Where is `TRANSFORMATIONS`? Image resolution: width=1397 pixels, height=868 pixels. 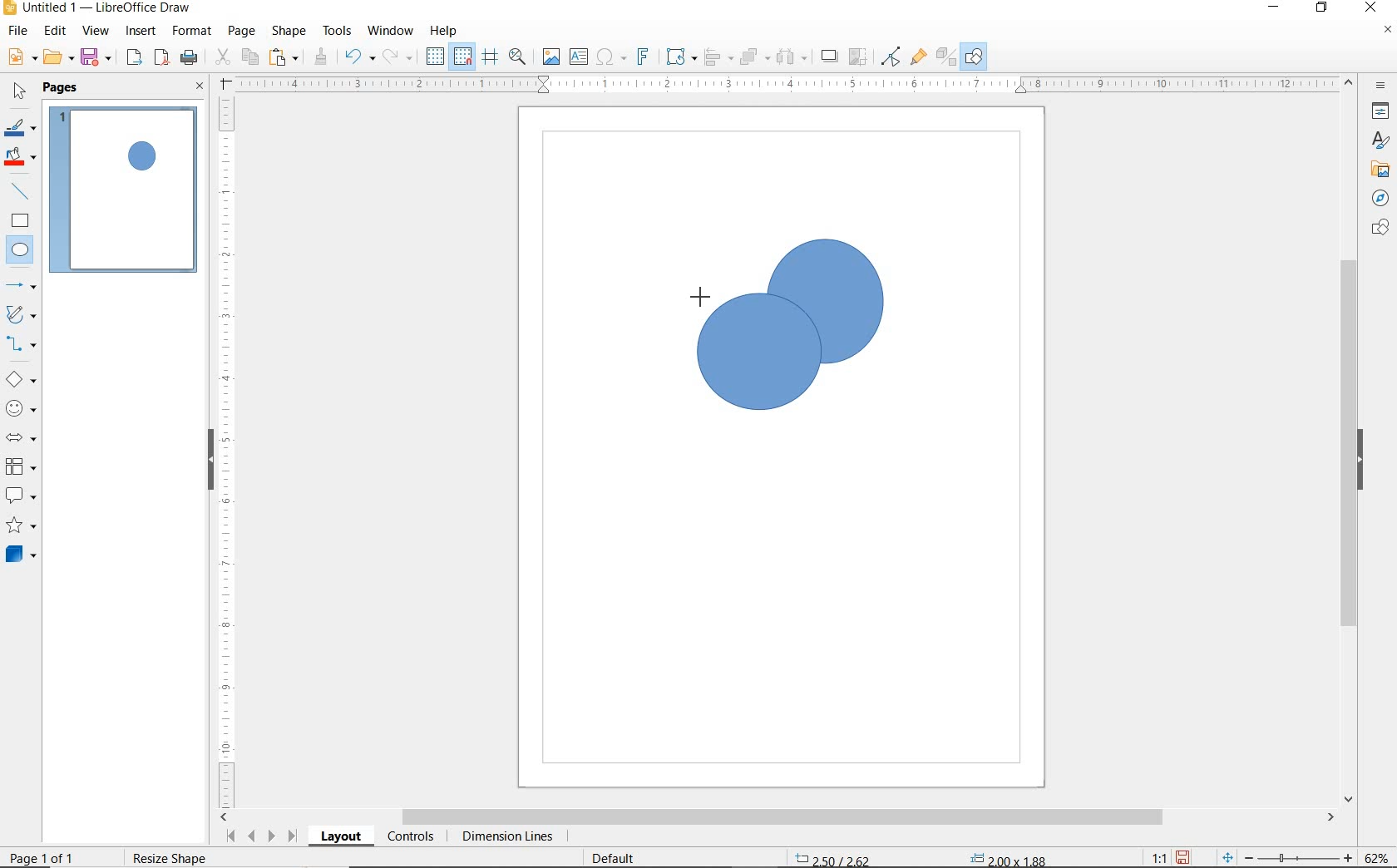
TRANSFORMATIONS is located at coordinates (679, 57).